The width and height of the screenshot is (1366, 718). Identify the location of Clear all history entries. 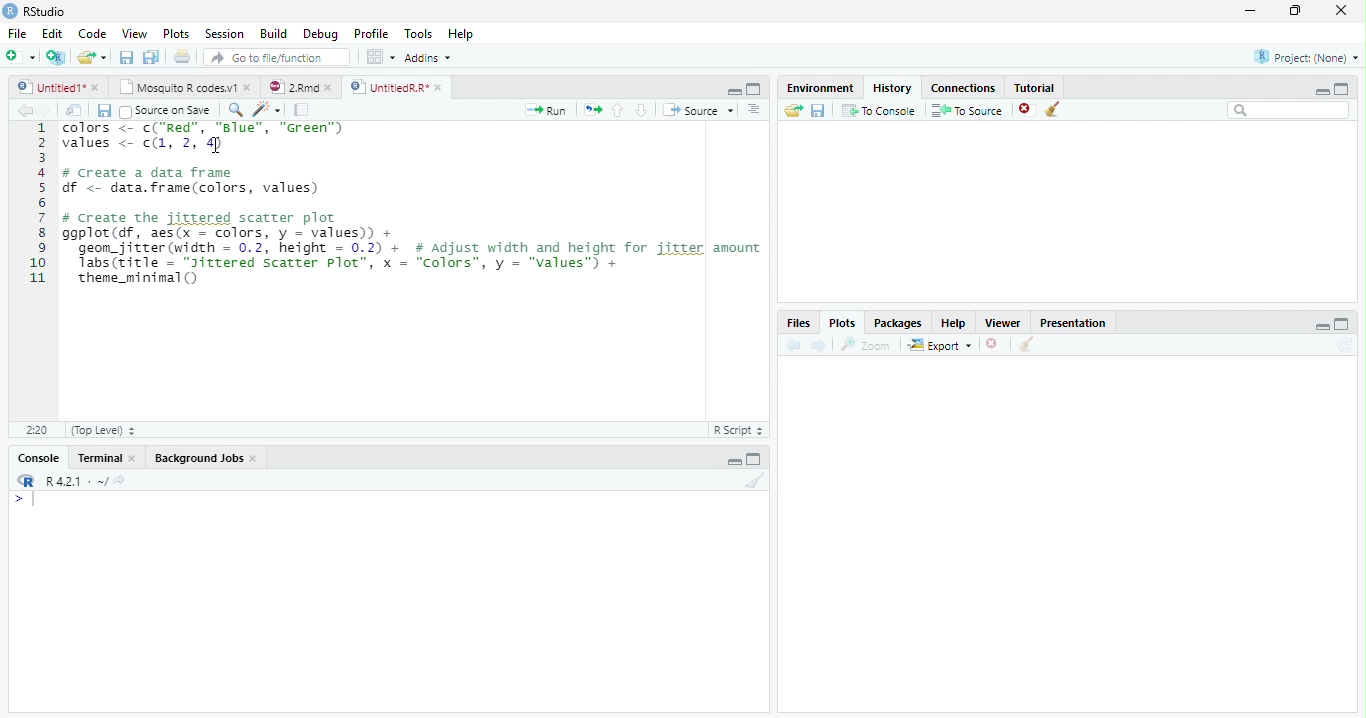
(1055, 109).